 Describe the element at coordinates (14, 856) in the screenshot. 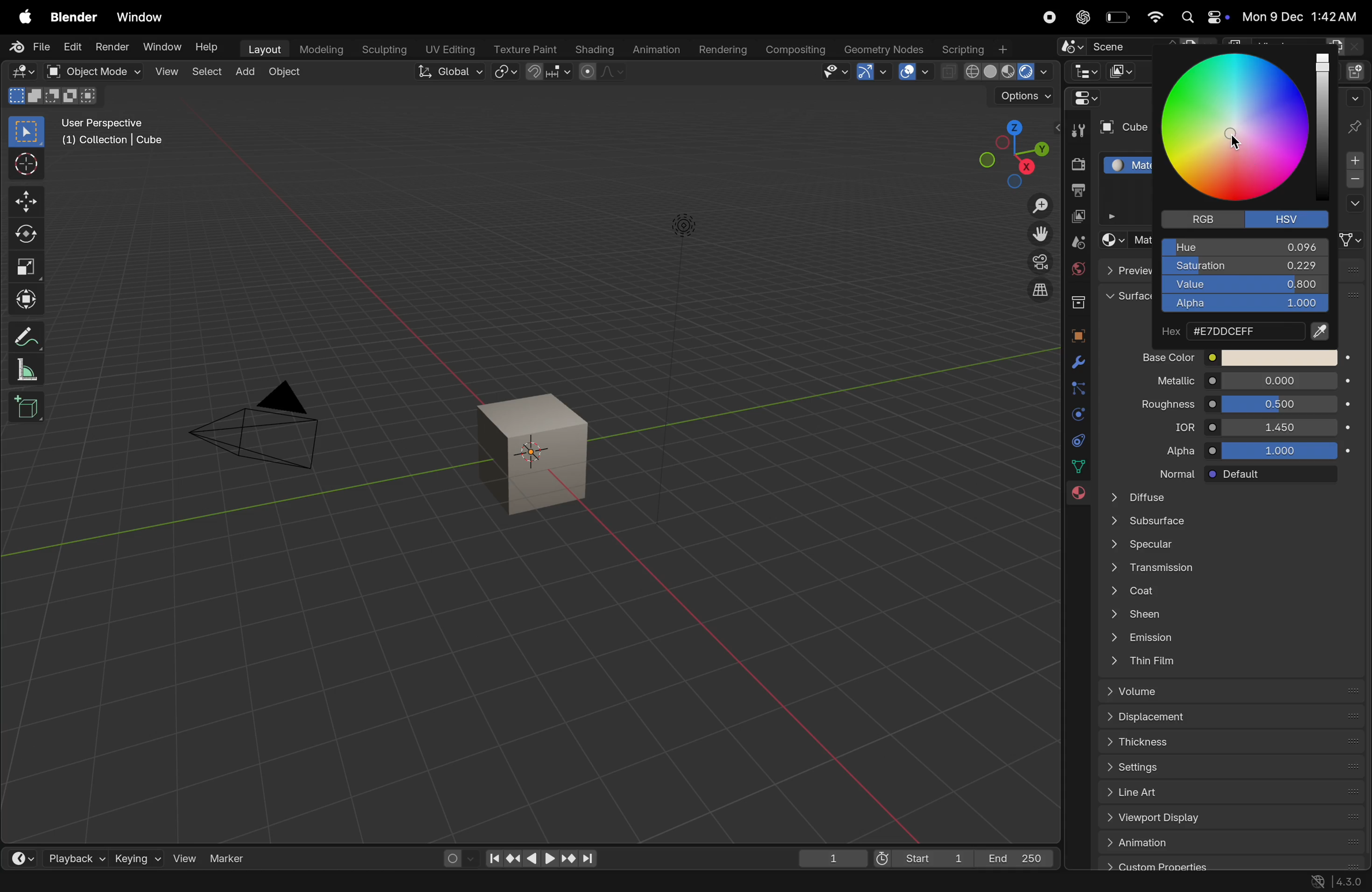

I see `editor type` at that location.